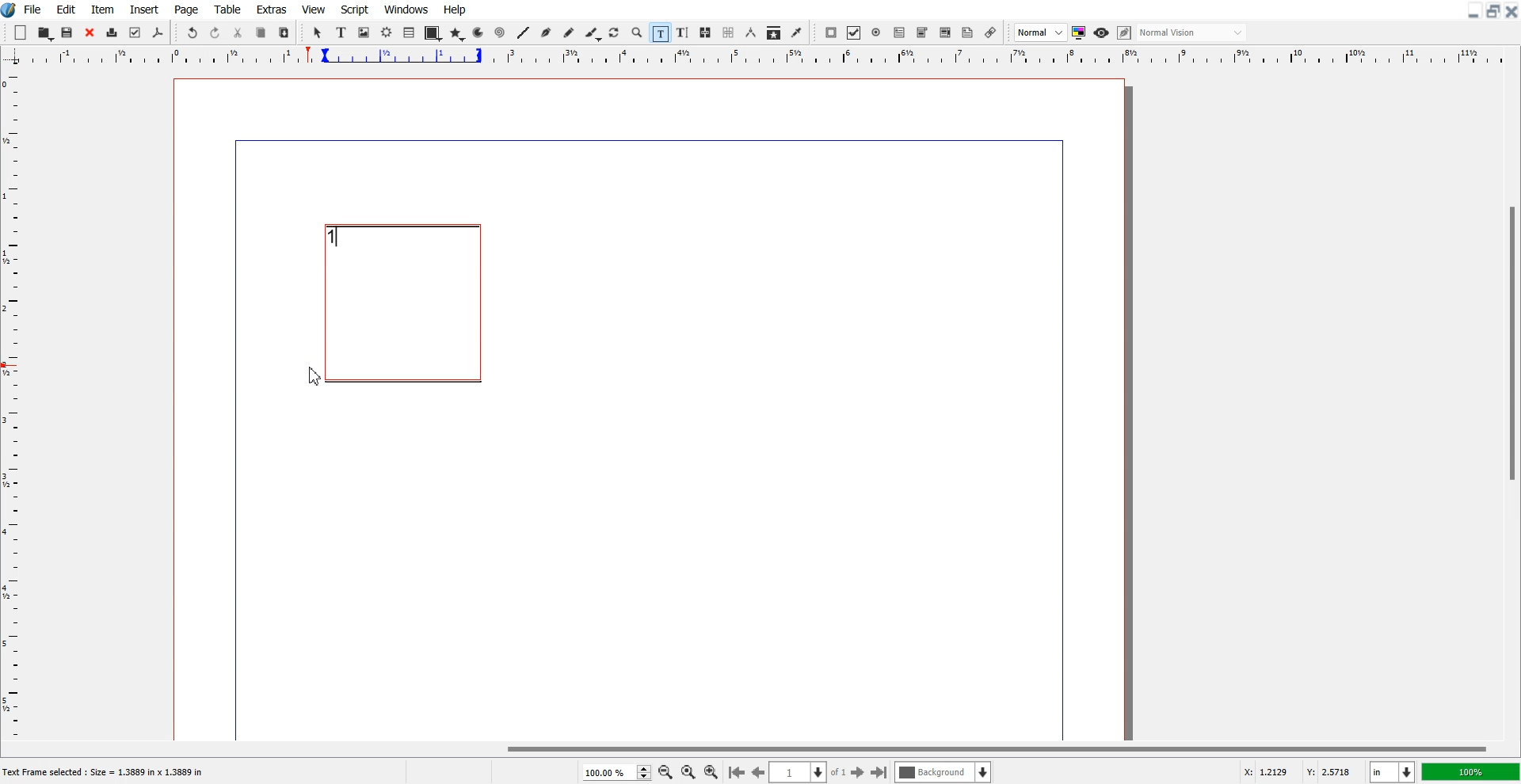  What do you see at coordinates (1393, 772) in the screenshot?
I see `Measurement in Inches` at bounding box center [1393, 772].